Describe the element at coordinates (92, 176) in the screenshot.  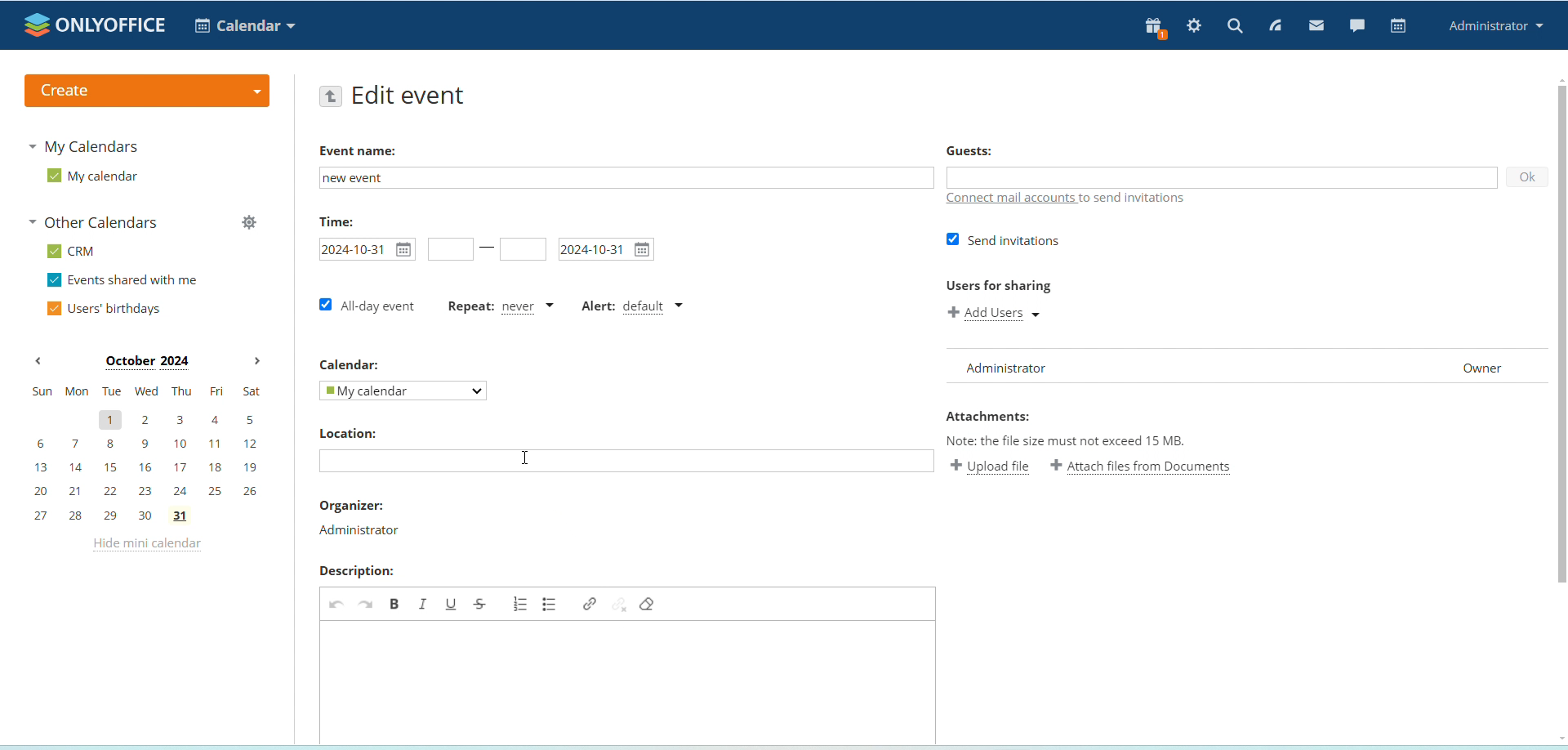
I see `my calendar` at that location.